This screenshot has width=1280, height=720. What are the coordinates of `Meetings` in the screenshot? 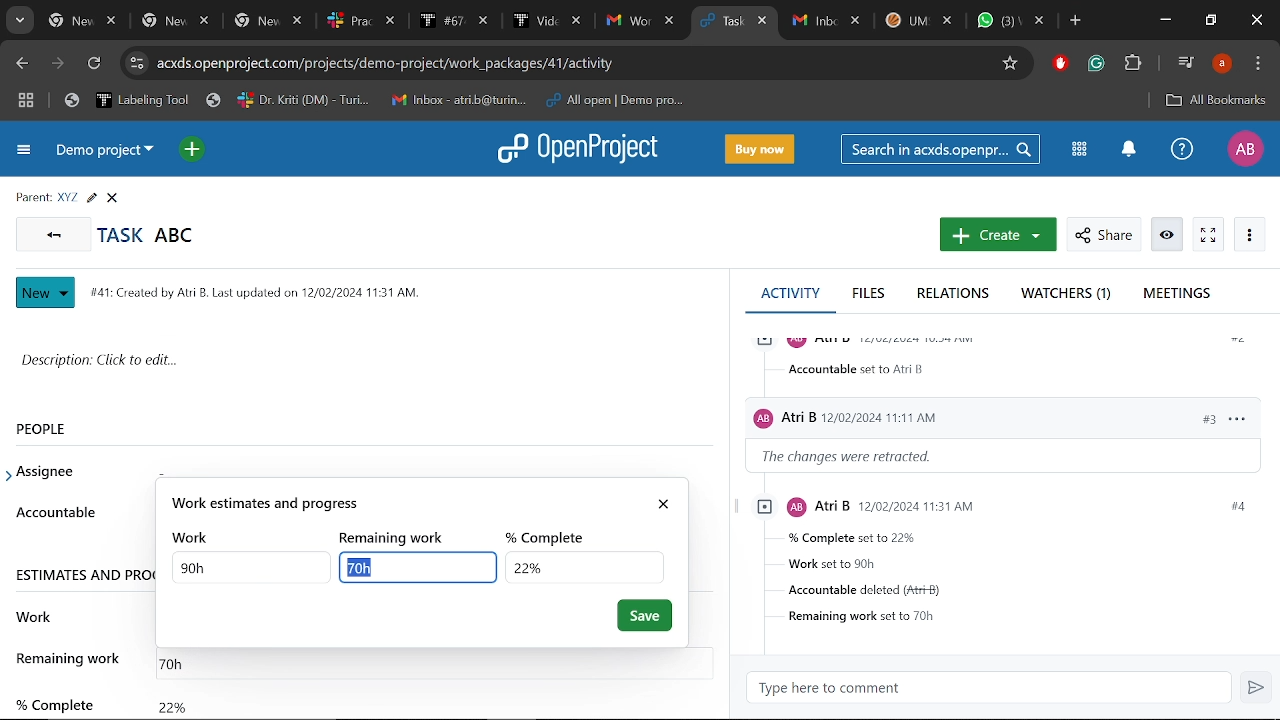 It's located at (1177, 294).